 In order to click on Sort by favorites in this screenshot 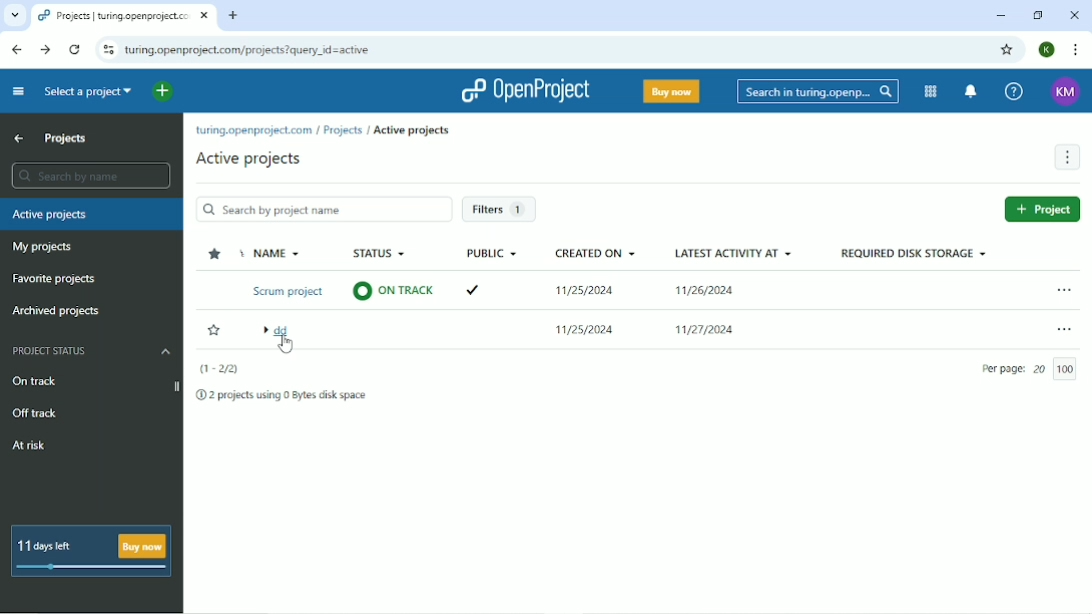, I will do `click(214, 255)`.